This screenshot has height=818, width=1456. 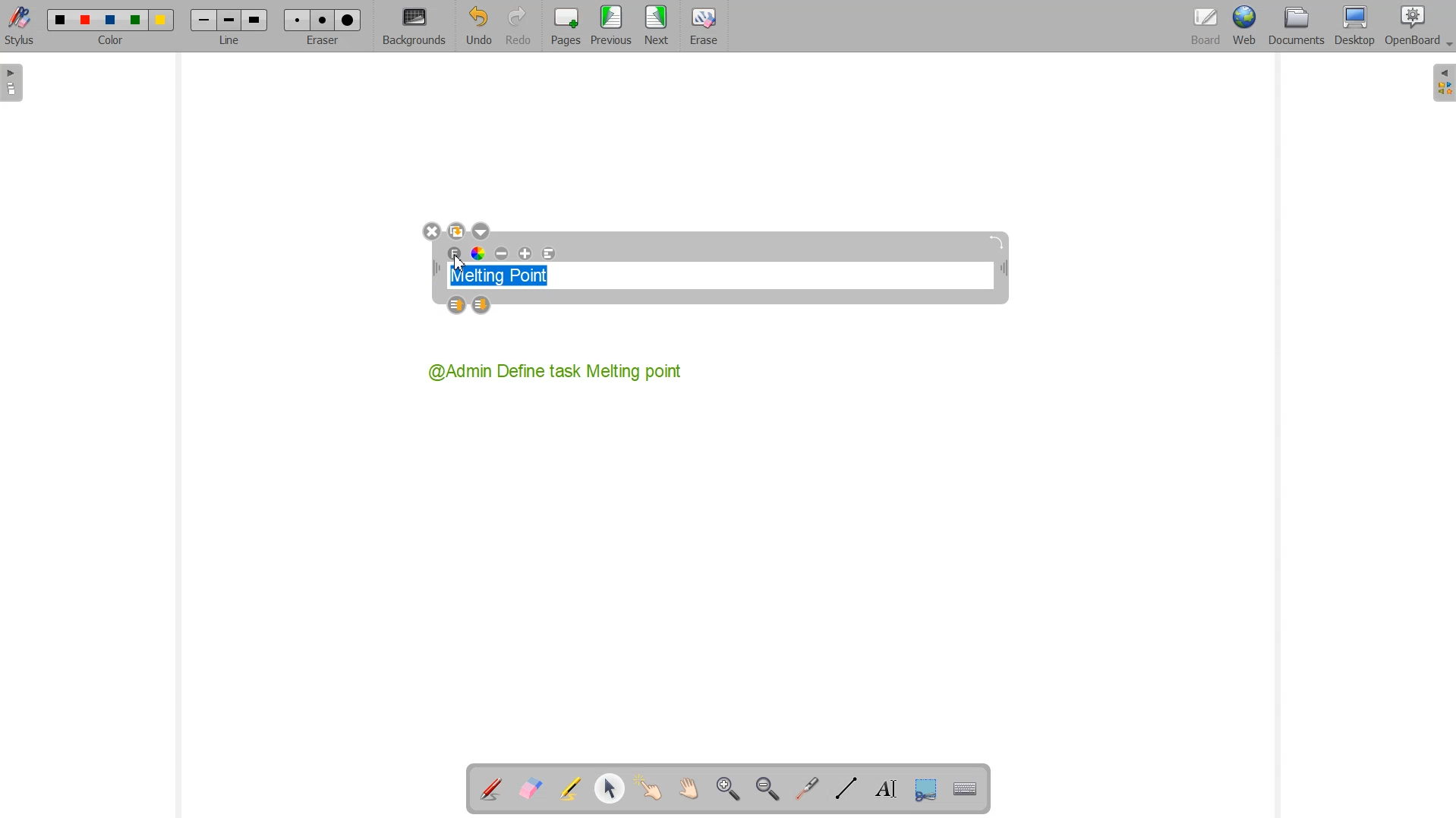 I want to click on Annotate Document, so click(x=490, y=789).